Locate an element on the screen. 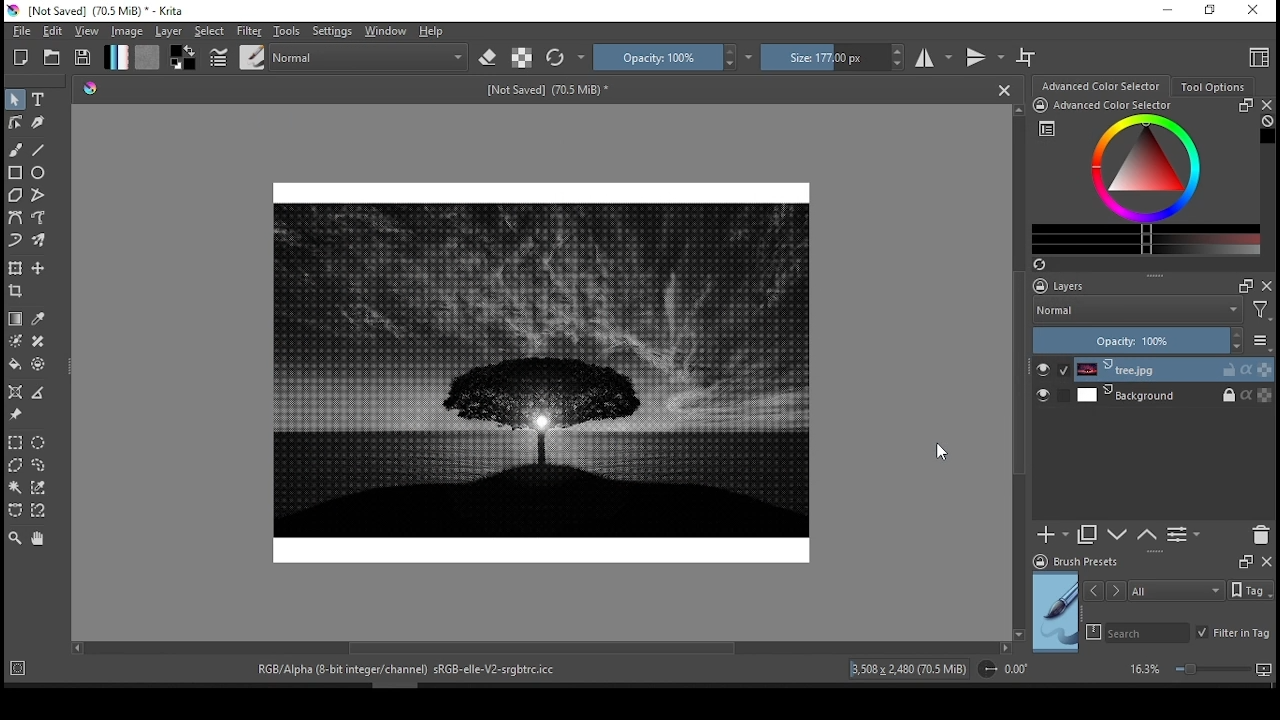 This screenshot has height=720, width=1280. Picker is located at coordinates (90, 89).